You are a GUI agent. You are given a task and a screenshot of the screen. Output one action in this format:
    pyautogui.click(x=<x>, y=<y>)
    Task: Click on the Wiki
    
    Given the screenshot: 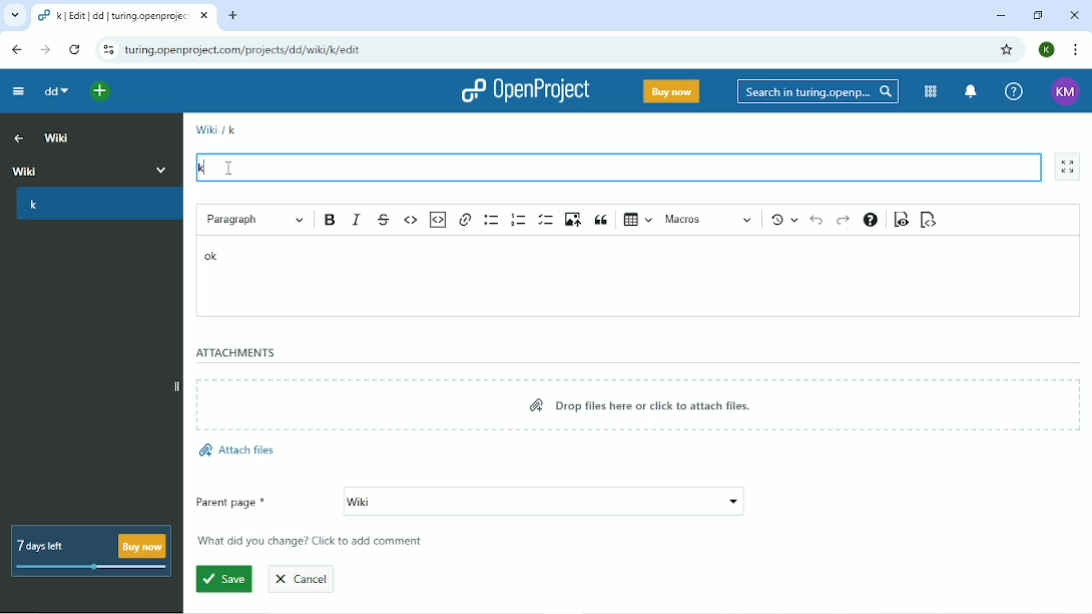 What is the action you would take?
    pyautogui.click(x=59, y=139)
    